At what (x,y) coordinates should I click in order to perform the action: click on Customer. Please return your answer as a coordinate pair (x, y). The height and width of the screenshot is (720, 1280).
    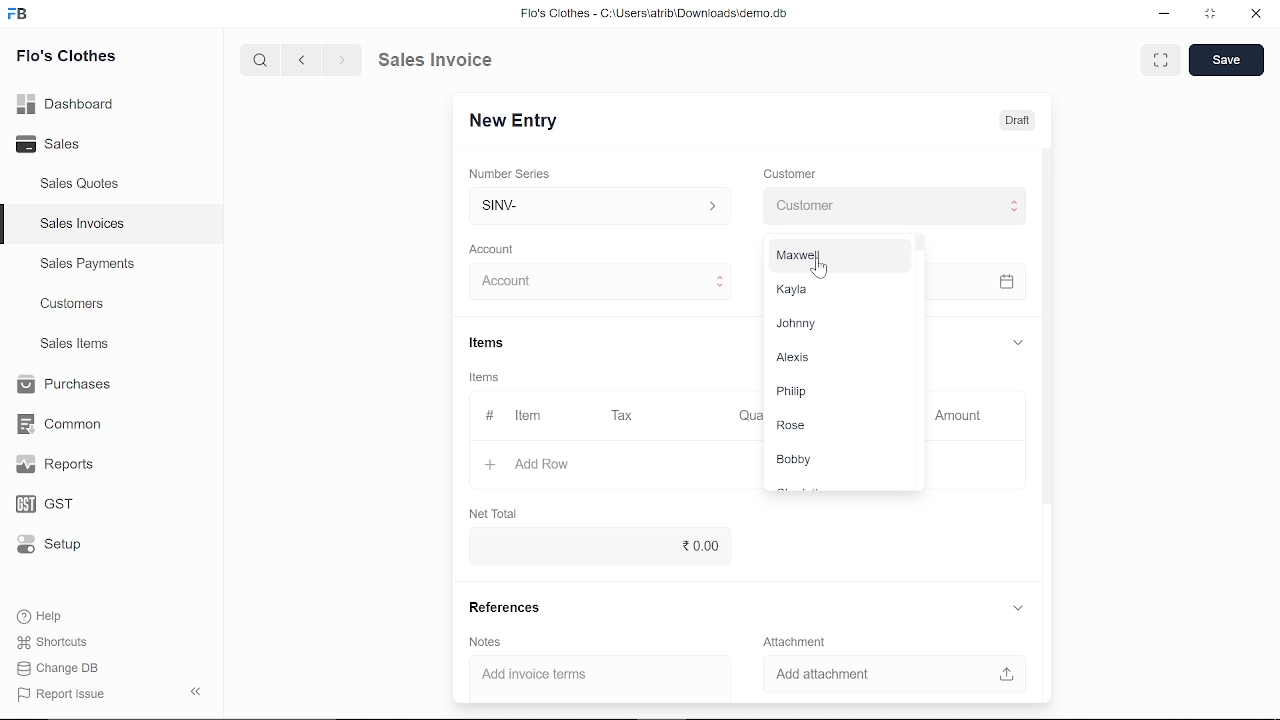
    Looking at the image, I should click on (792, 175).